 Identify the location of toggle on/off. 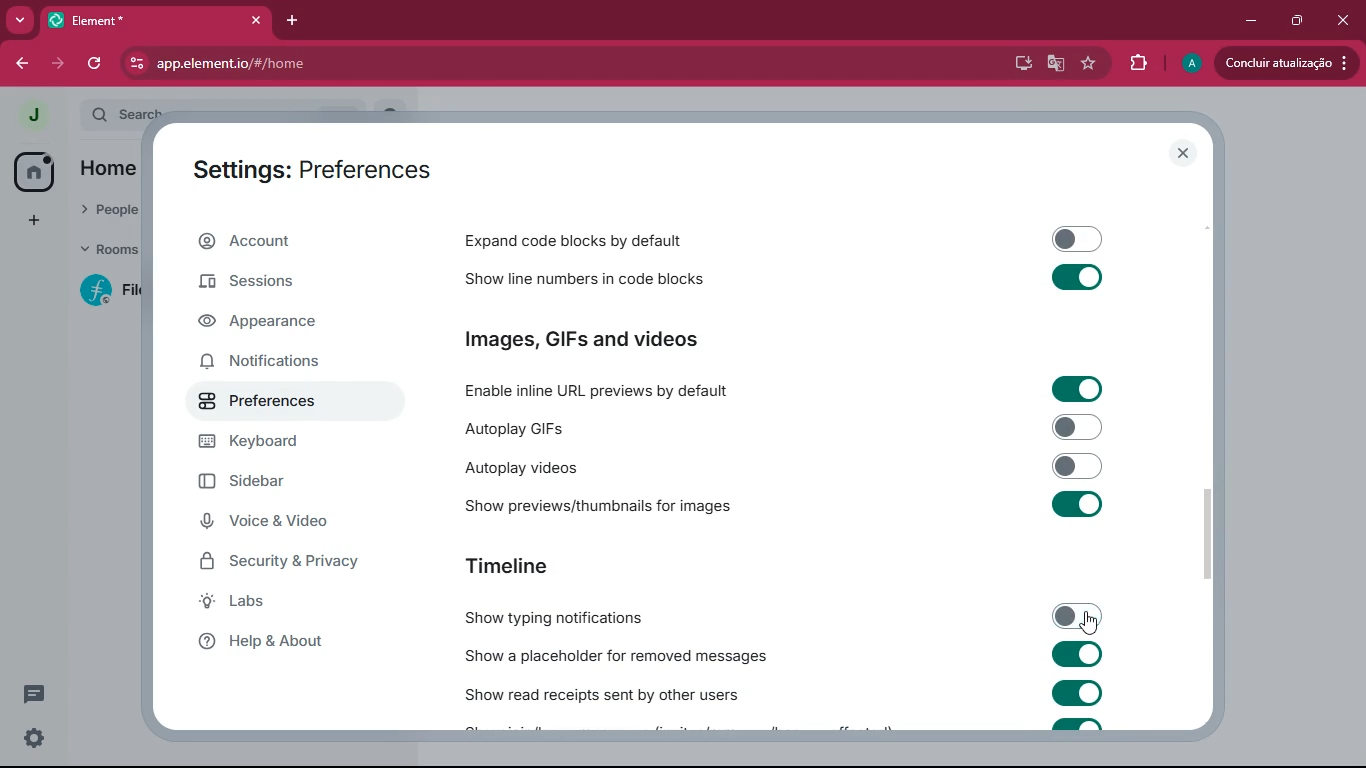
(1078, 389).